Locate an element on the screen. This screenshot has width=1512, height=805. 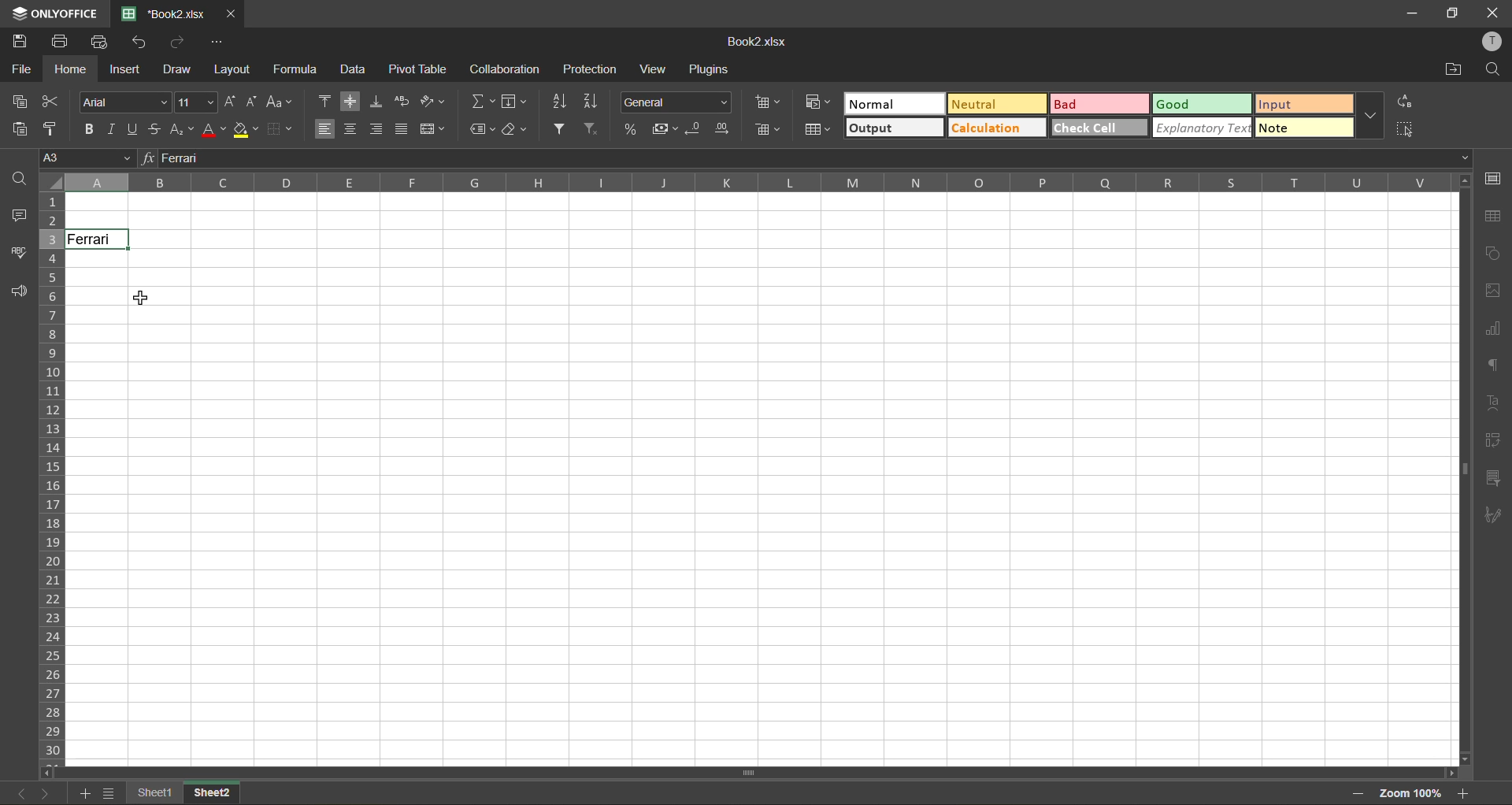
paragraph is located at coordinates (1494, 367).